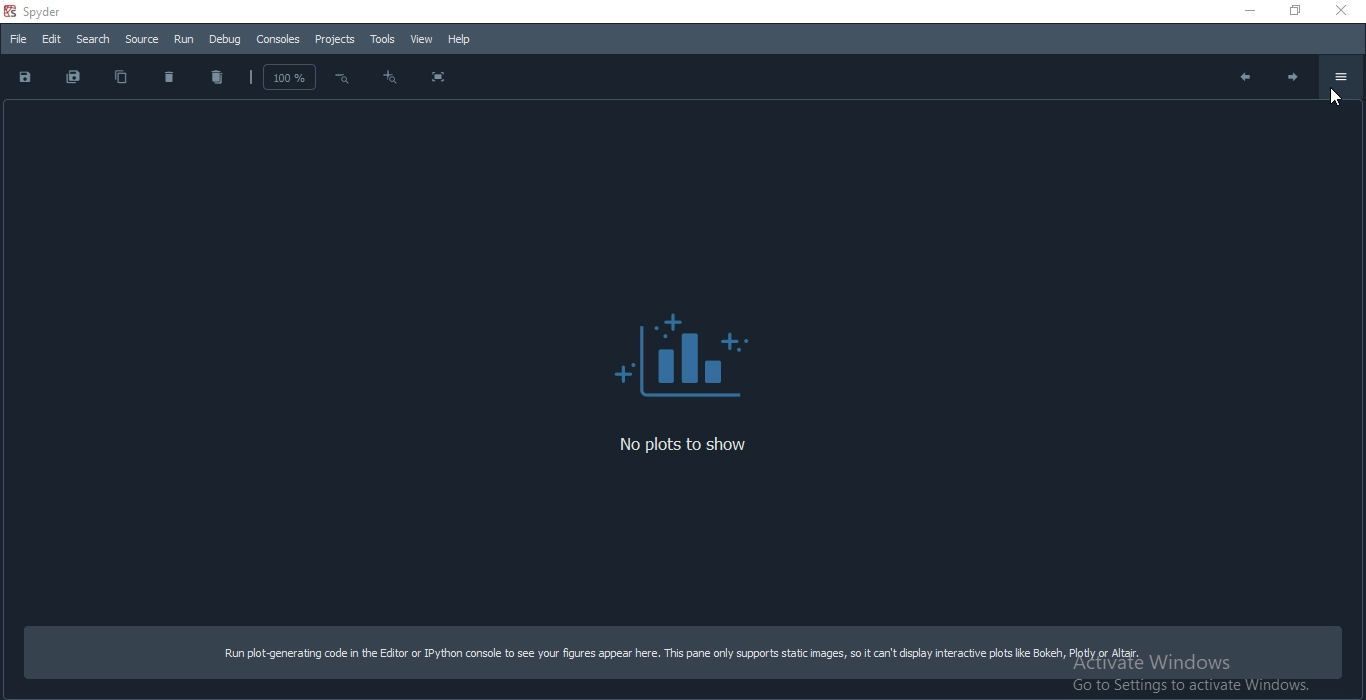 The height and width of the screenshot is (700, 1366). What do you see at coordinates (1341, 77) in the screenshot?
I see `Options` at bounding box center [1341, 77].